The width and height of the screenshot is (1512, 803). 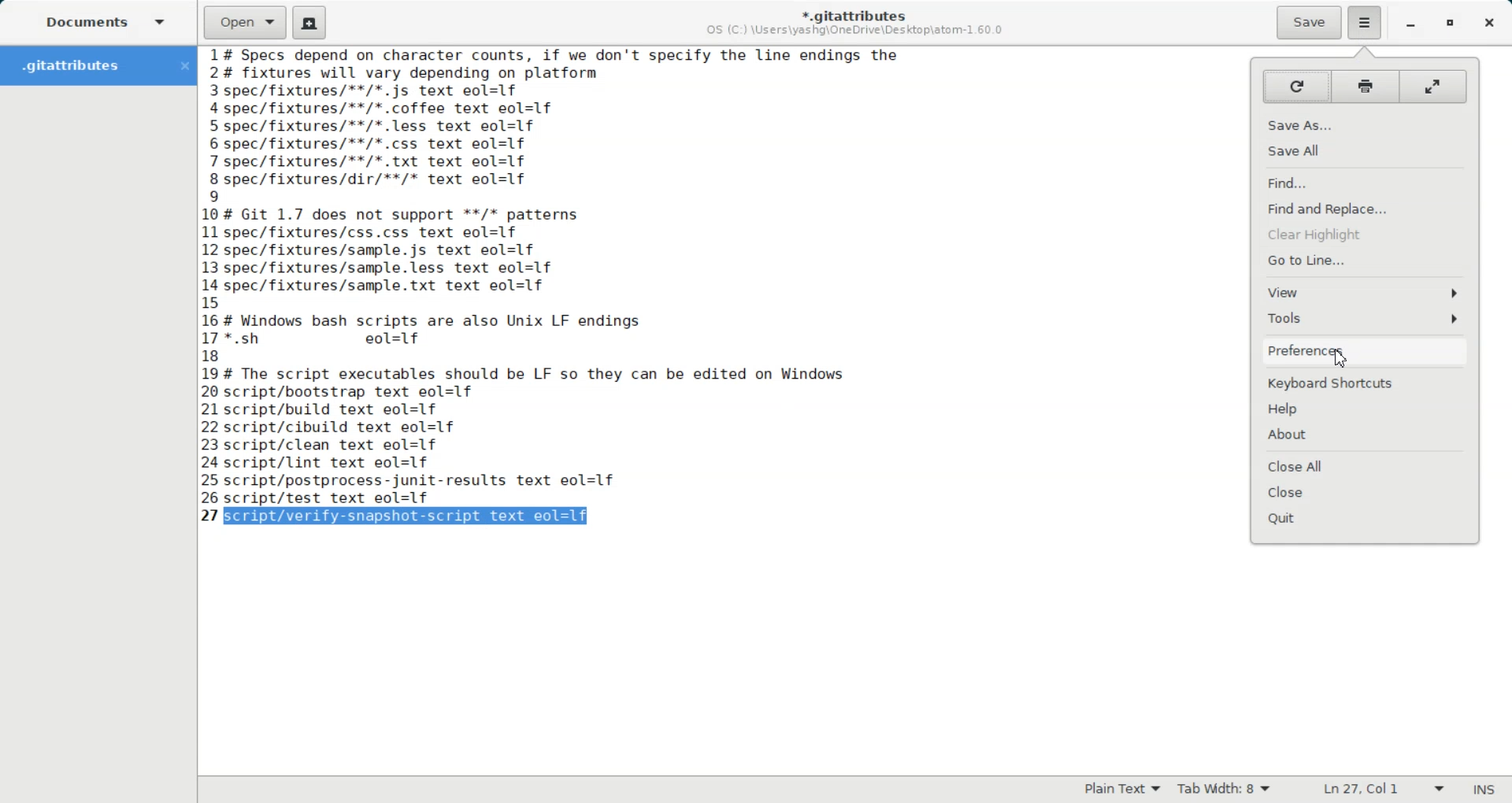 What do you see at coordinates (1308, 23) in the screenshot?
I see `Save` at bounding box center [1308, 23].